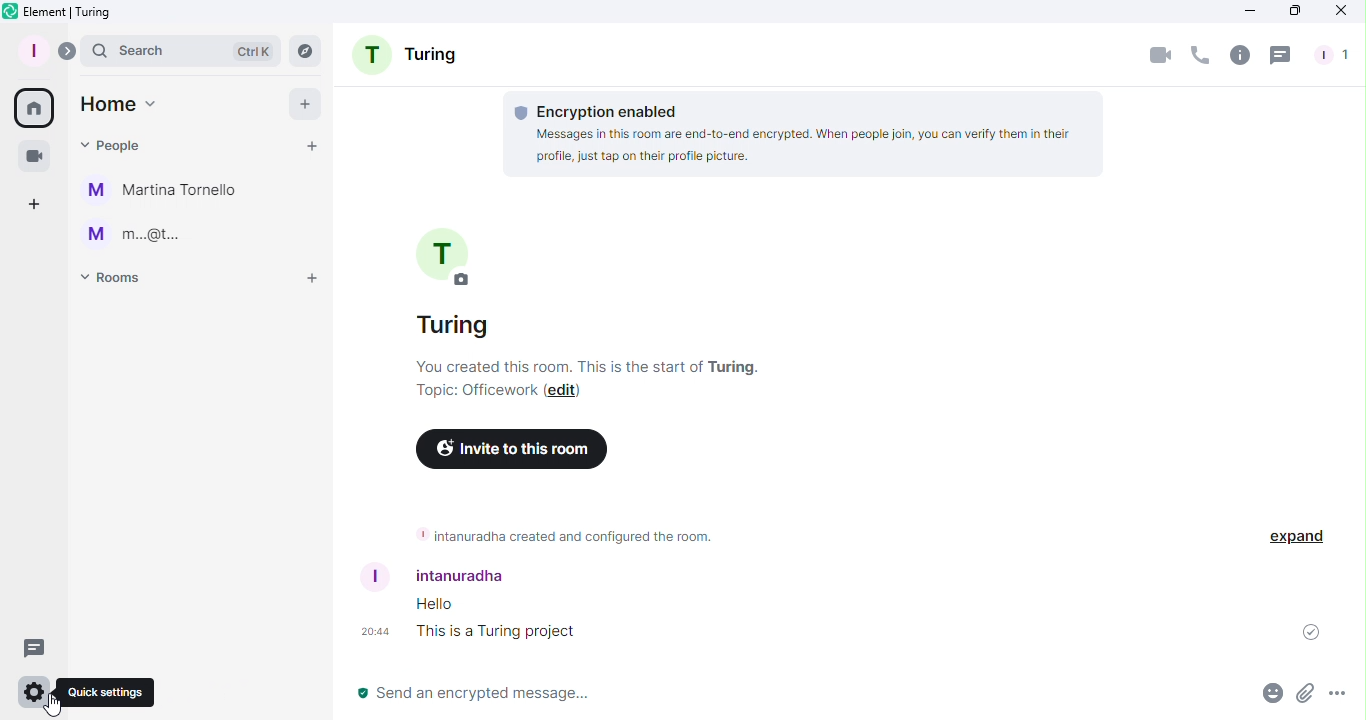 The image size is (1366, 720). Describe the element at coordinates (593, 367) in the screenshot. I see `you created this room.` at that location.